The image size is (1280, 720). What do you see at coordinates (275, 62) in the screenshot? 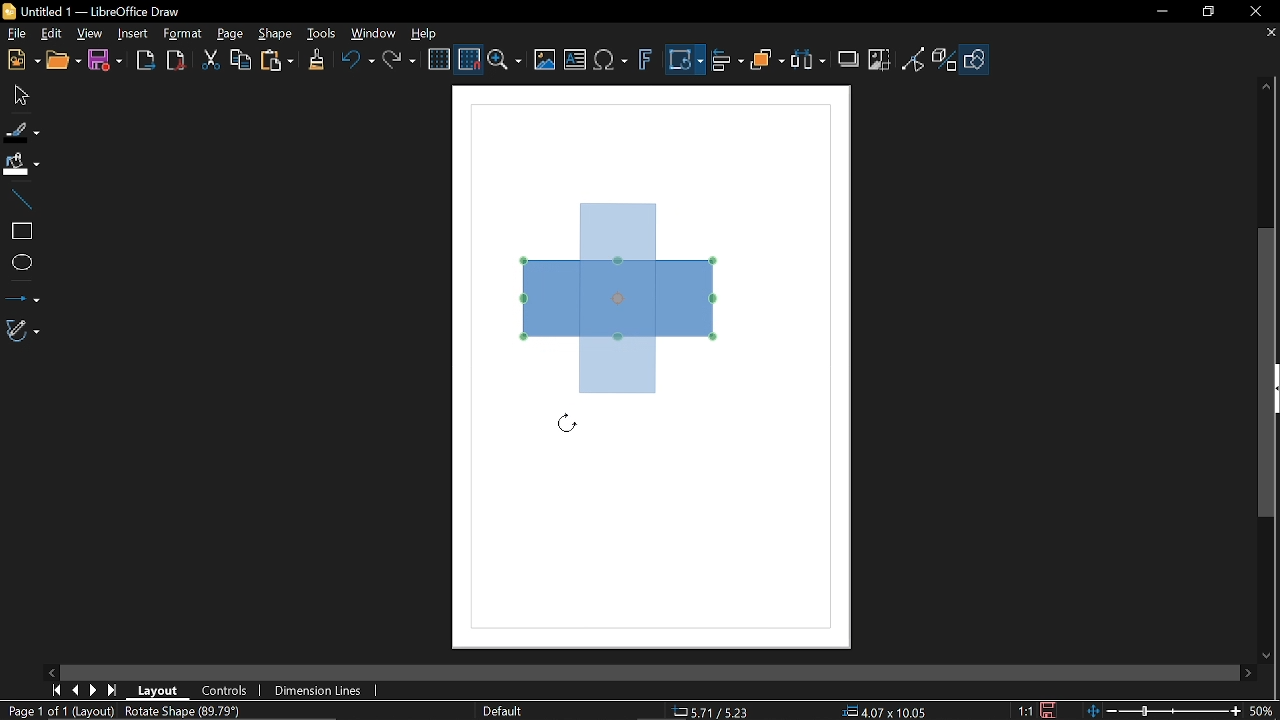
I see `Paste` at bounding box center [275, 62].